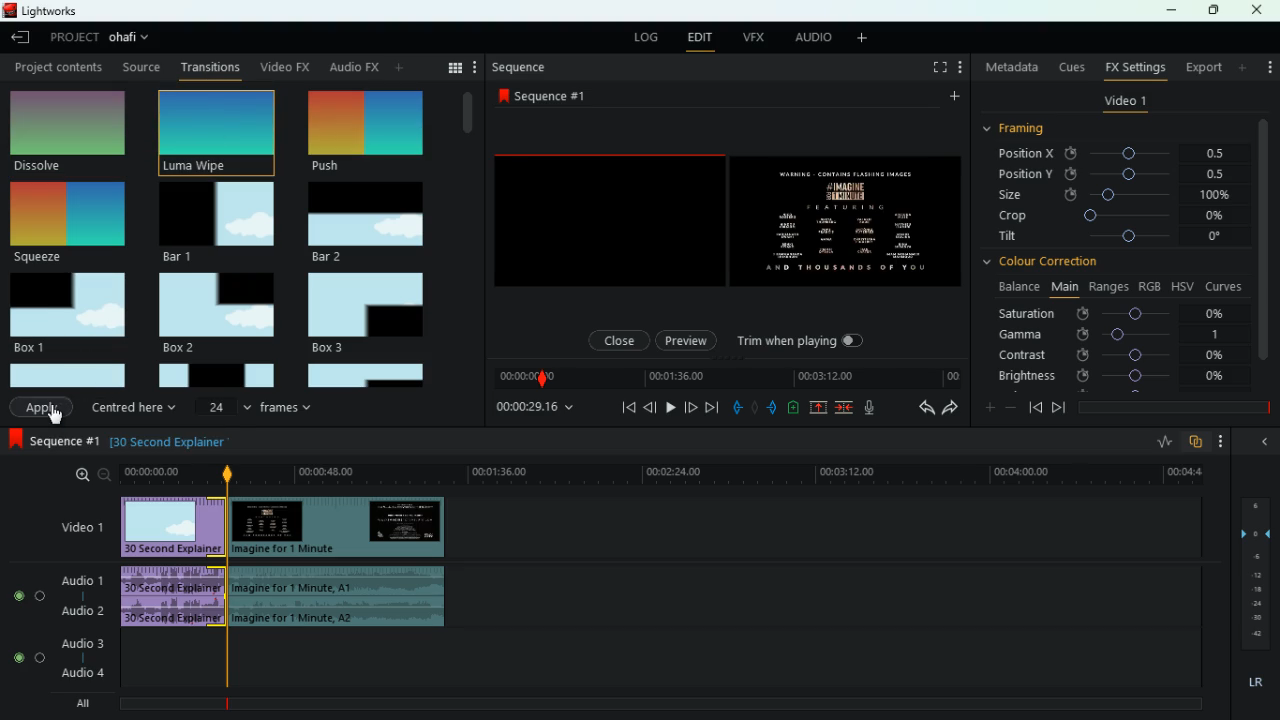 The width and height of the screenshot is (1280, 720). Describe the element at coordinates (667, 407) in the screenshot. I see `play` at that location.